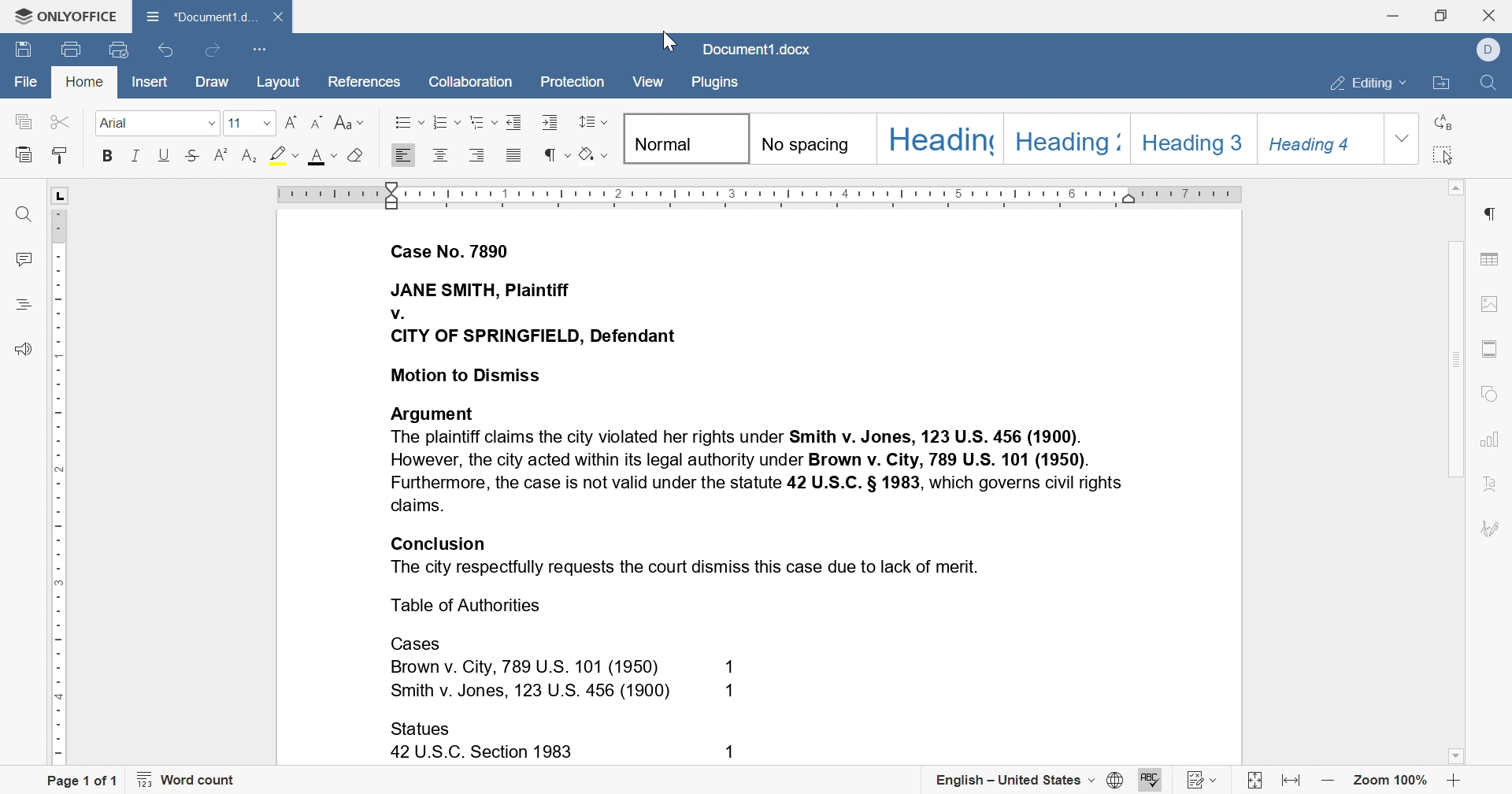  Describe the element at coordinates (153, 81) in the screenshot. I see `insert` at that location.